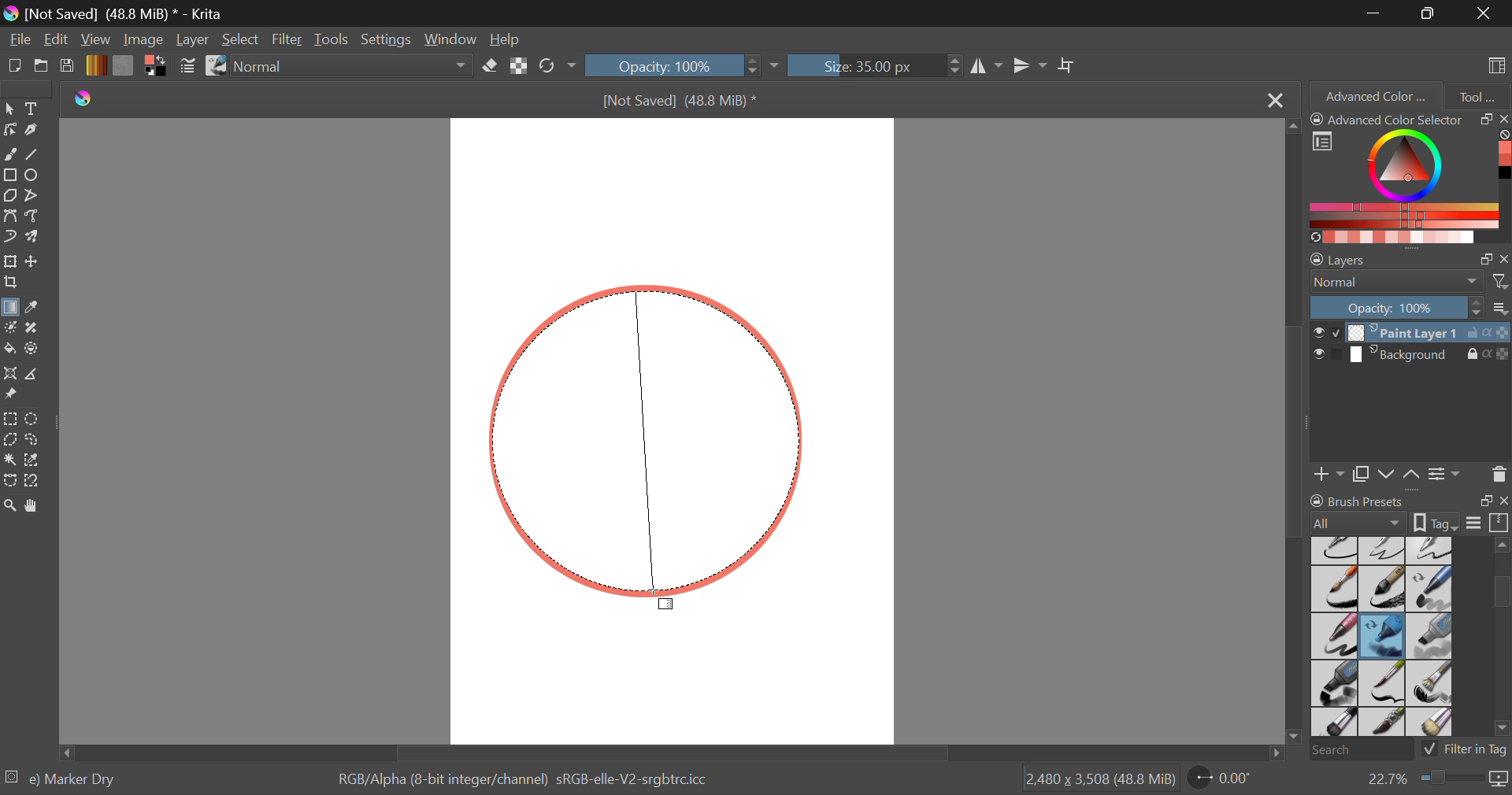 This screenshot has height=795, width=1512. I want to click on Close, so click(1273, 101).